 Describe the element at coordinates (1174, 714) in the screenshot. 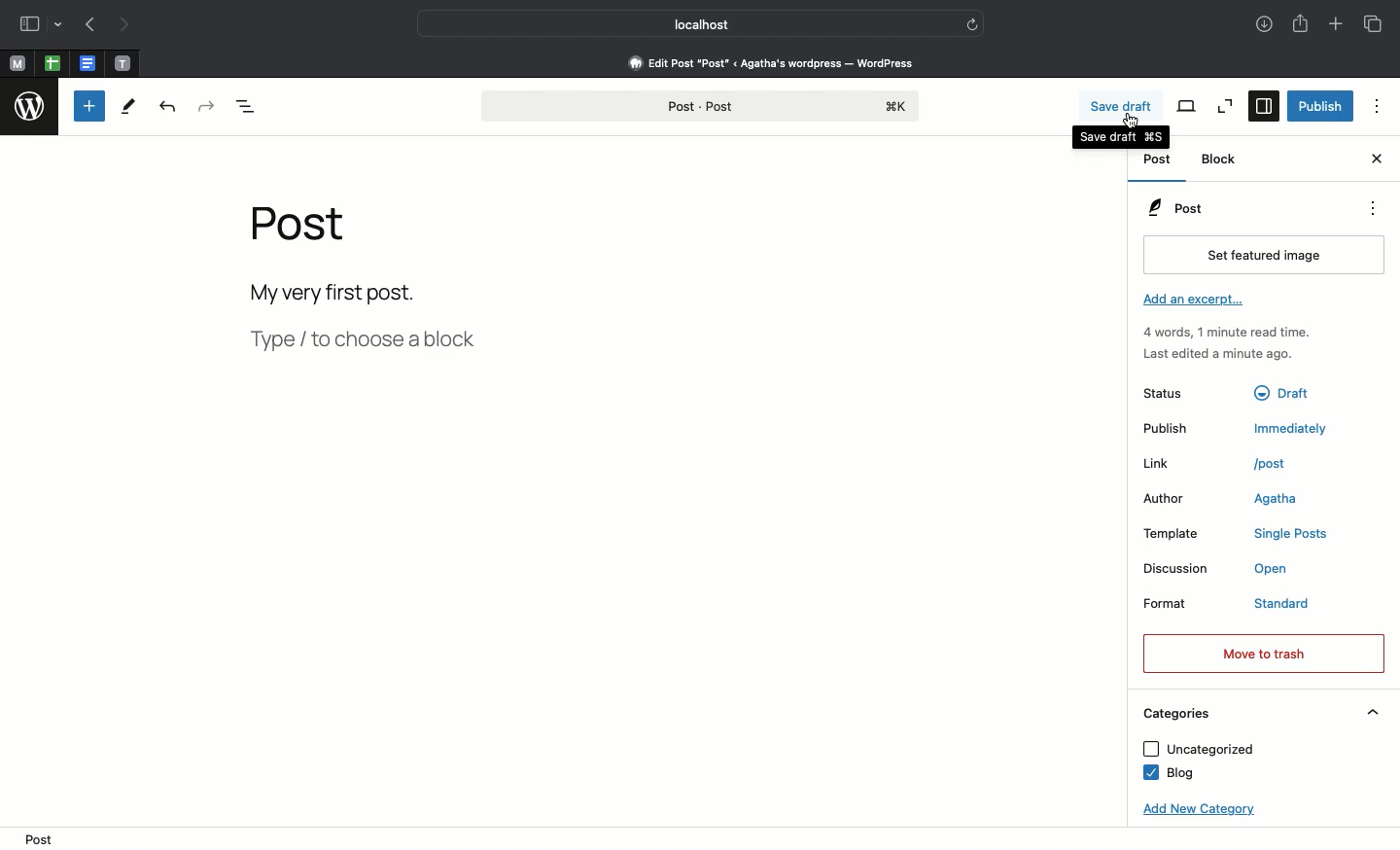

I see `Categories` at that location.